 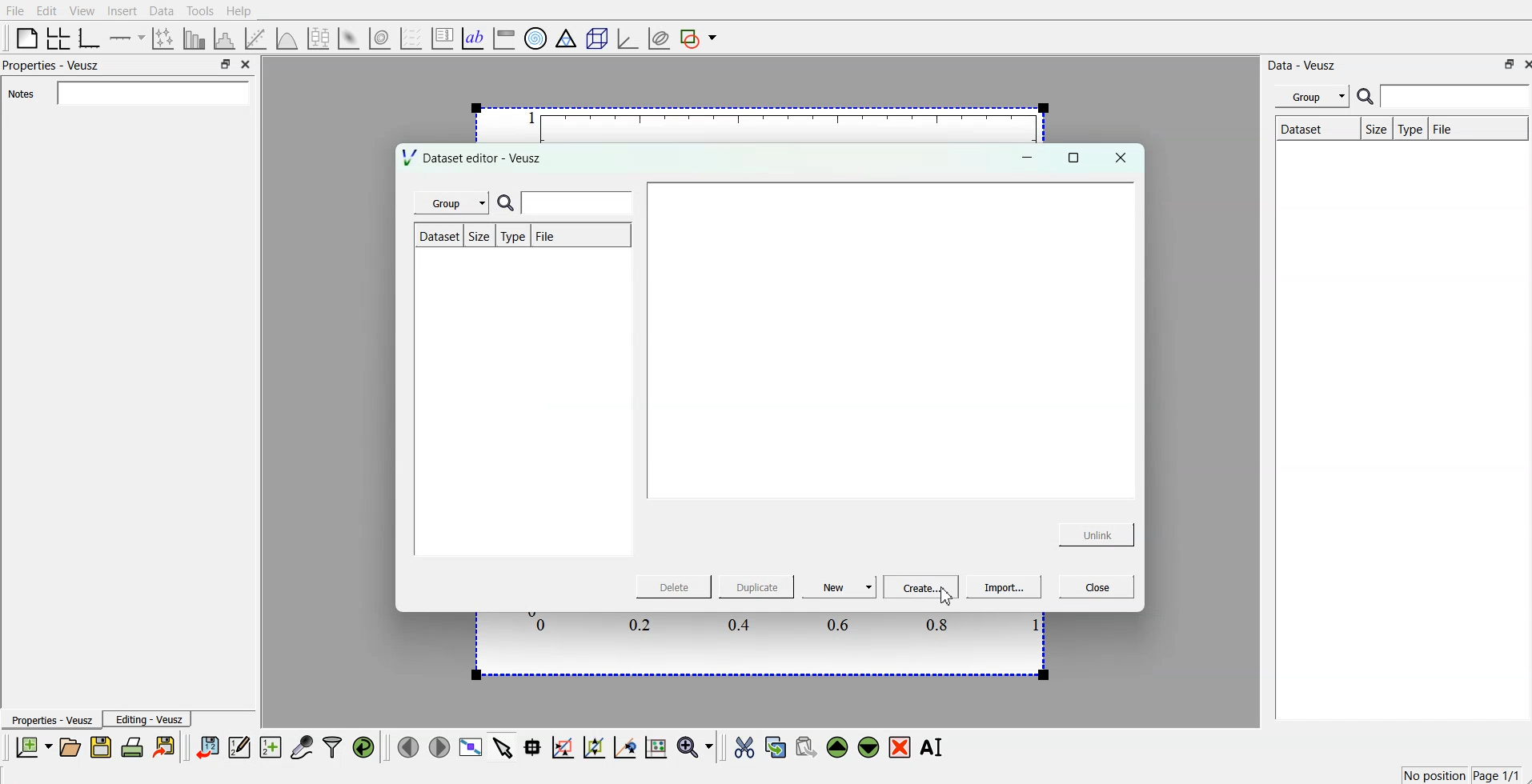 I want to click on bar chart, so click(x=195, y=37).